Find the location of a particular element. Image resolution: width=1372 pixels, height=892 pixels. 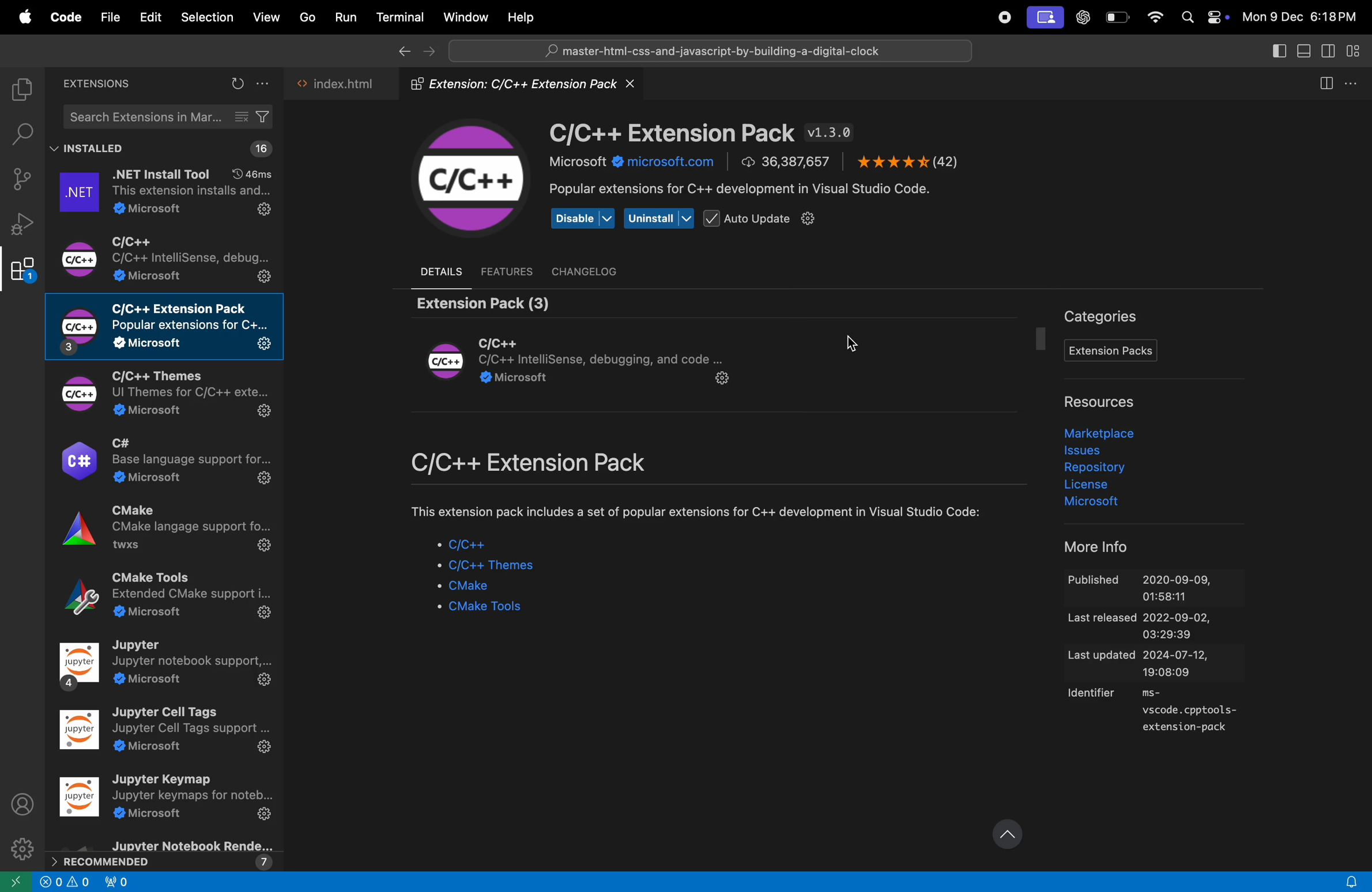

Extension module is located at coordinates (582, 363).